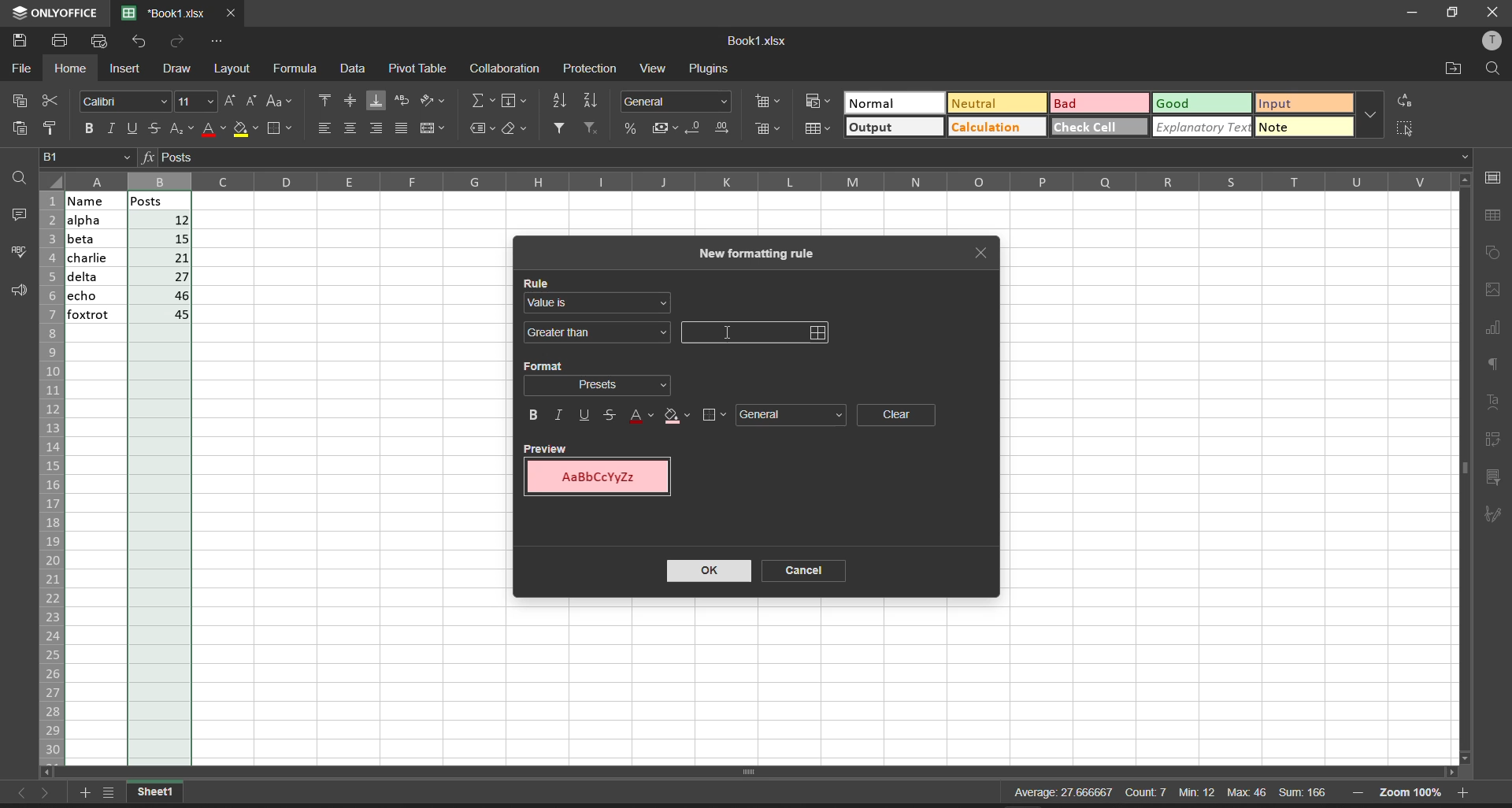 Image resolution: width=1512 pixels, height=808 pixels. I want to click on align center, so click(350, 129).